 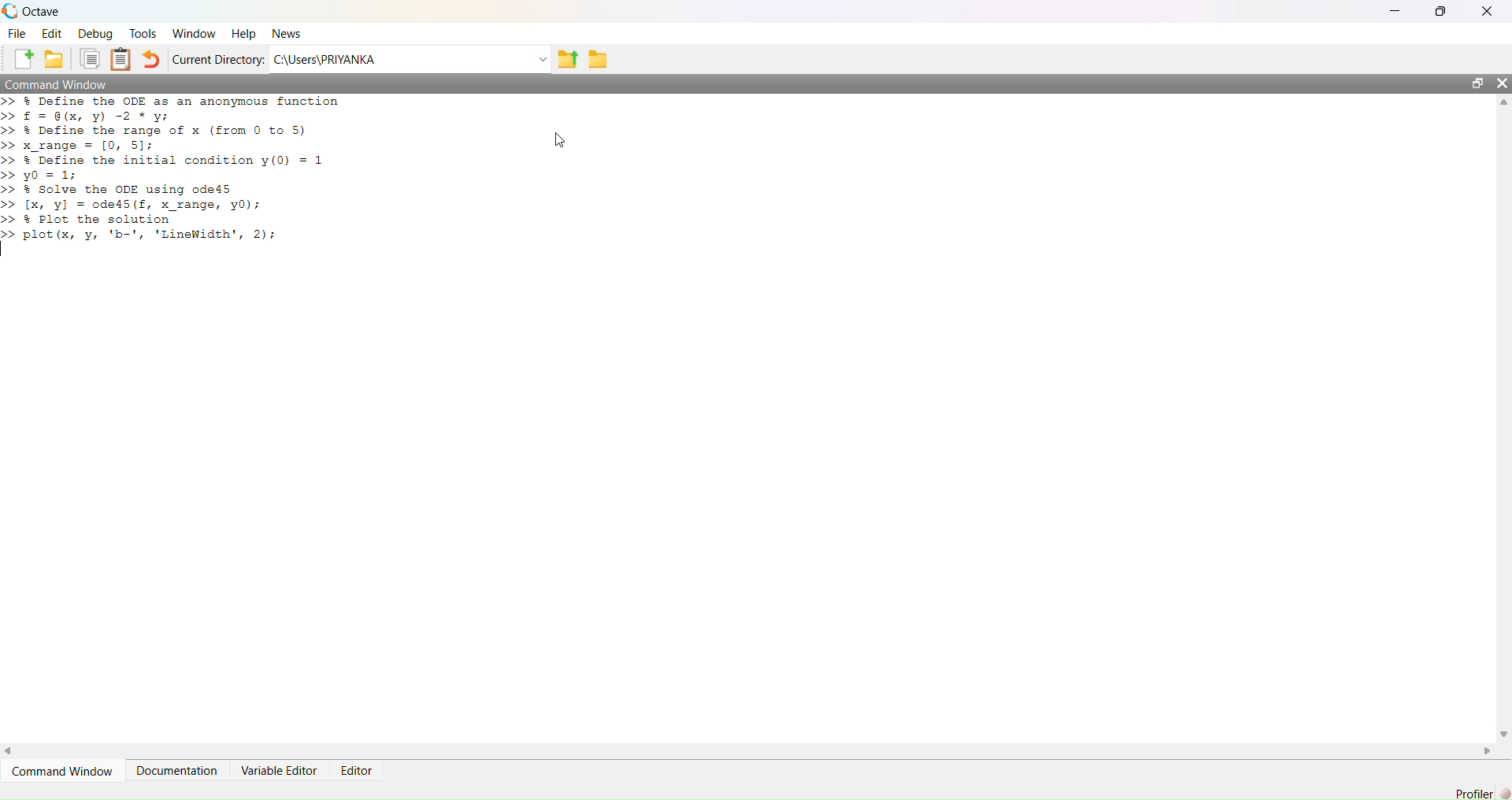 I want to click on Tools, so click(x=143, y=33).